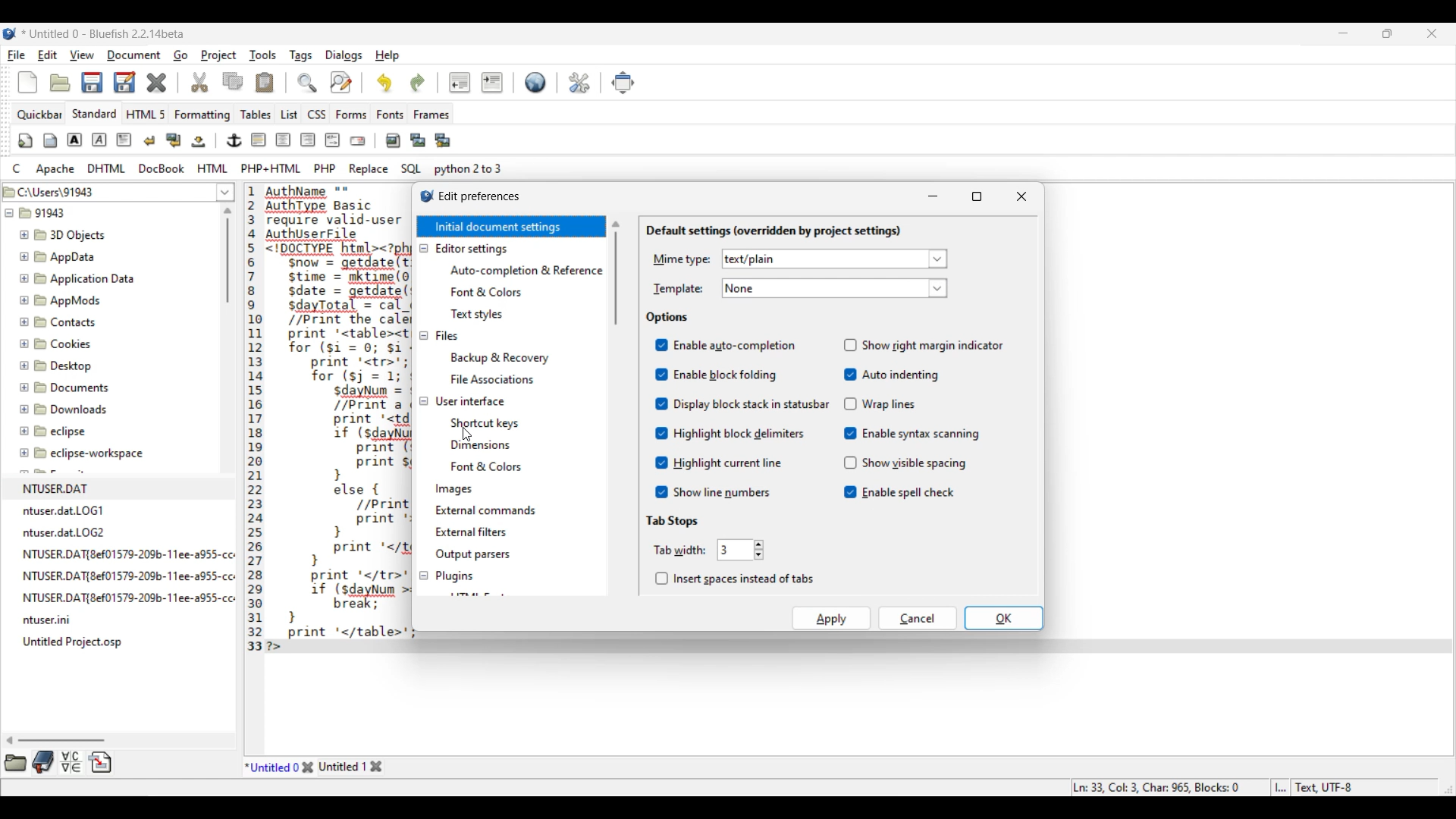 The image size is (1456, 819). I want to click on Status bar, so click(1215, 788).